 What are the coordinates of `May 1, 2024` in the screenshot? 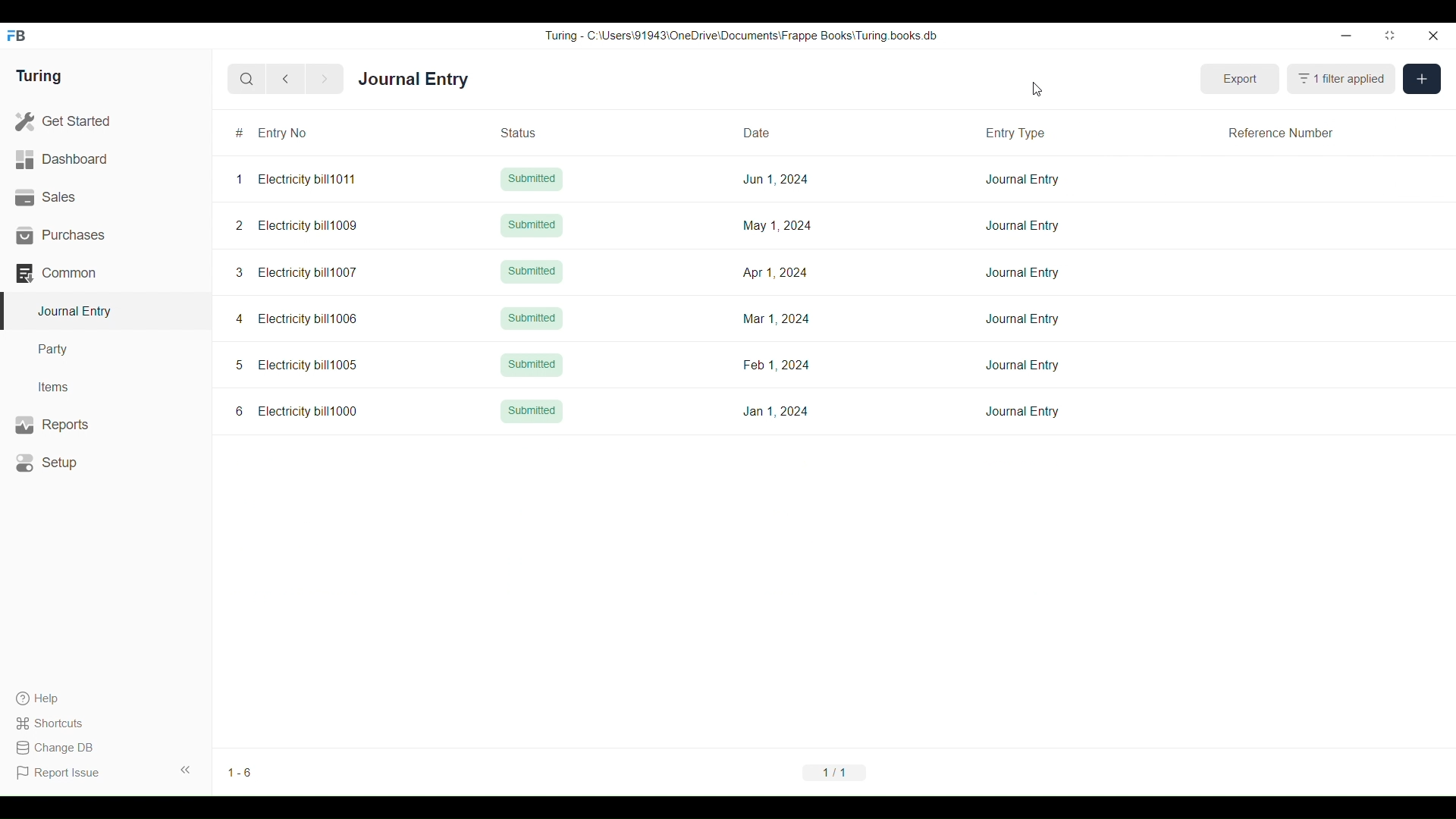 It's located at (779, 226).